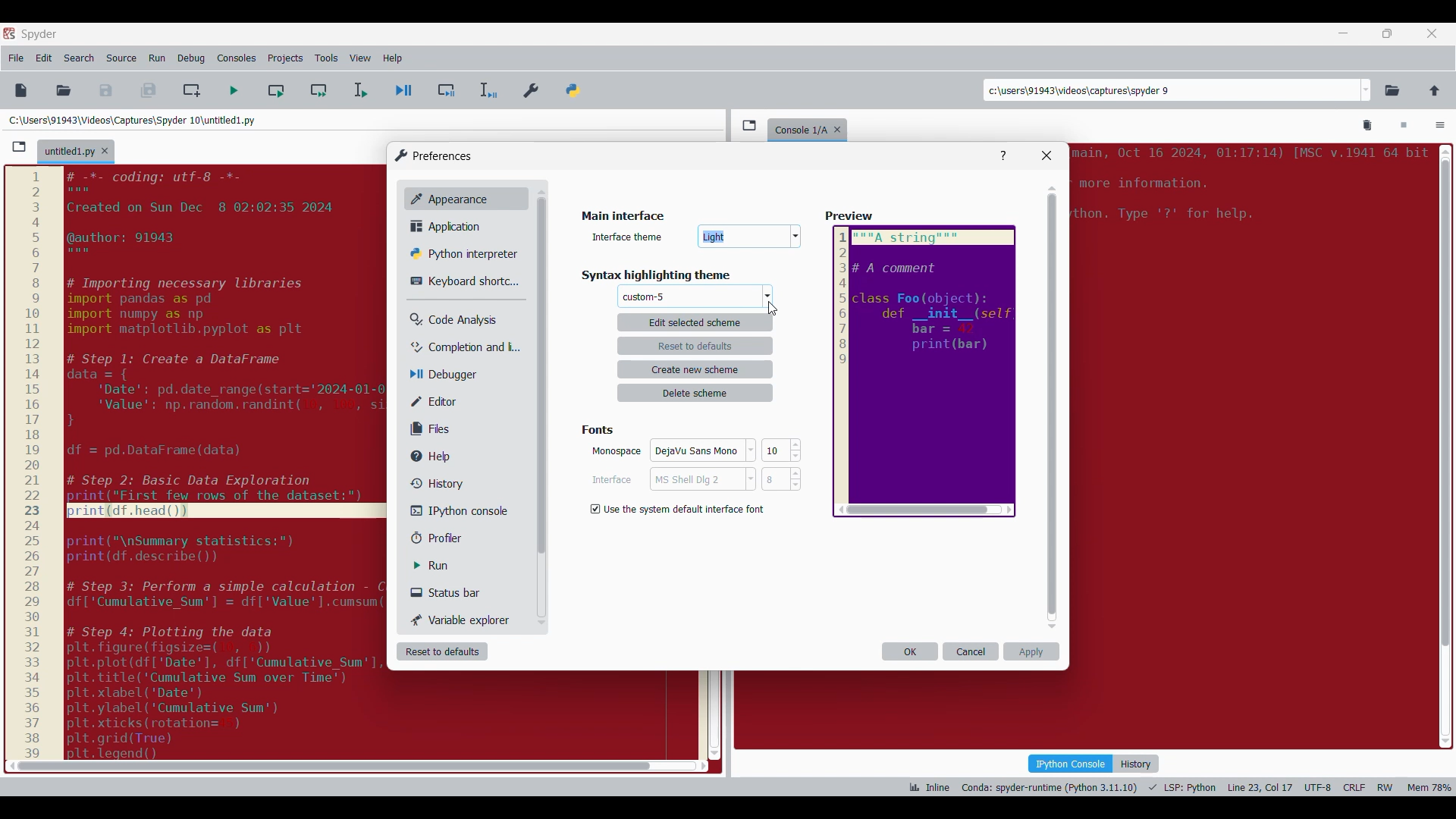 The width and height of the screenshot is (1456, 819). I want to click on Options, so click(1440, 127).